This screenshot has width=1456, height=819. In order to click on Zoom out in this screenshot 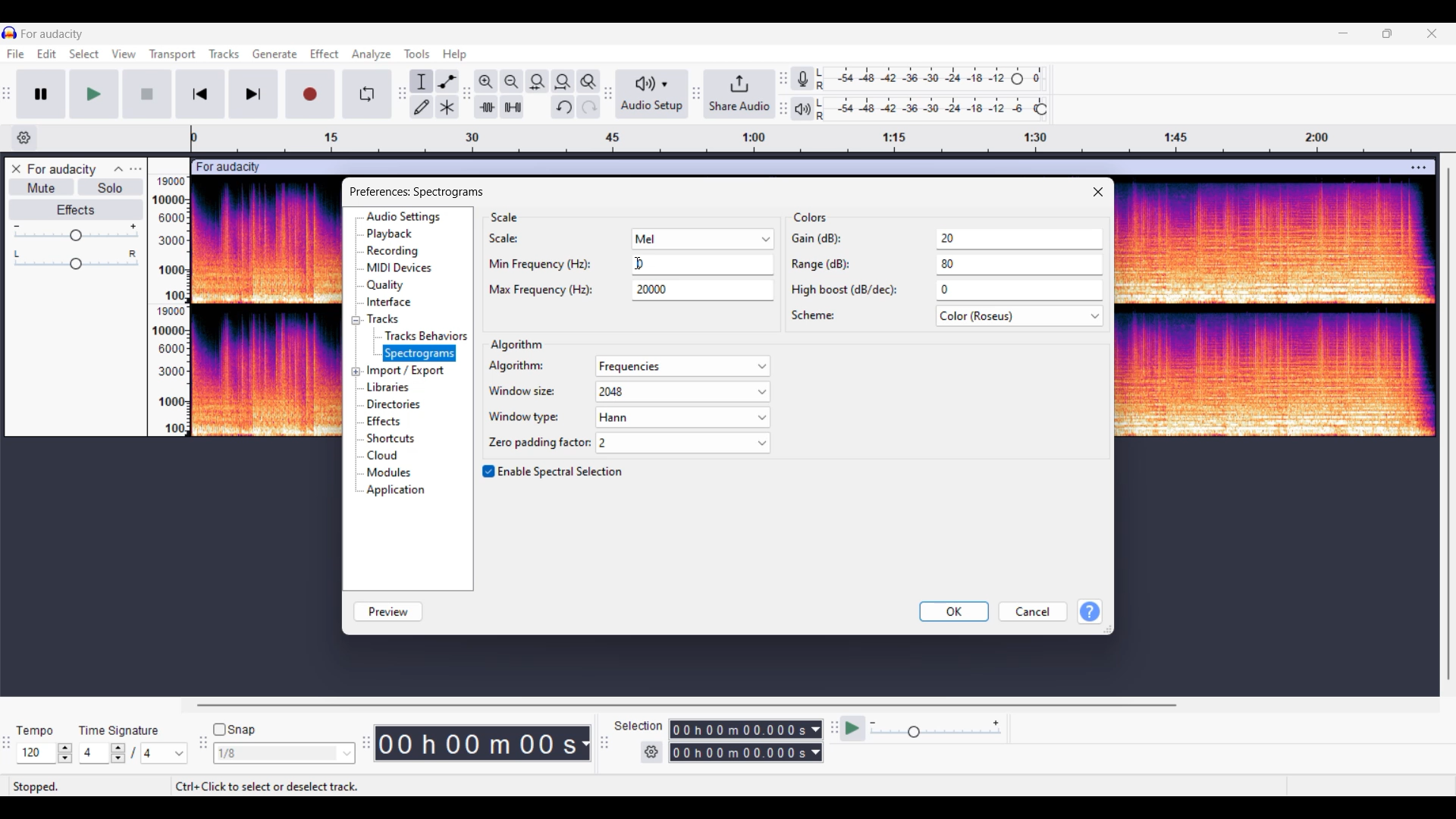, I will do `click(513, 82)`.